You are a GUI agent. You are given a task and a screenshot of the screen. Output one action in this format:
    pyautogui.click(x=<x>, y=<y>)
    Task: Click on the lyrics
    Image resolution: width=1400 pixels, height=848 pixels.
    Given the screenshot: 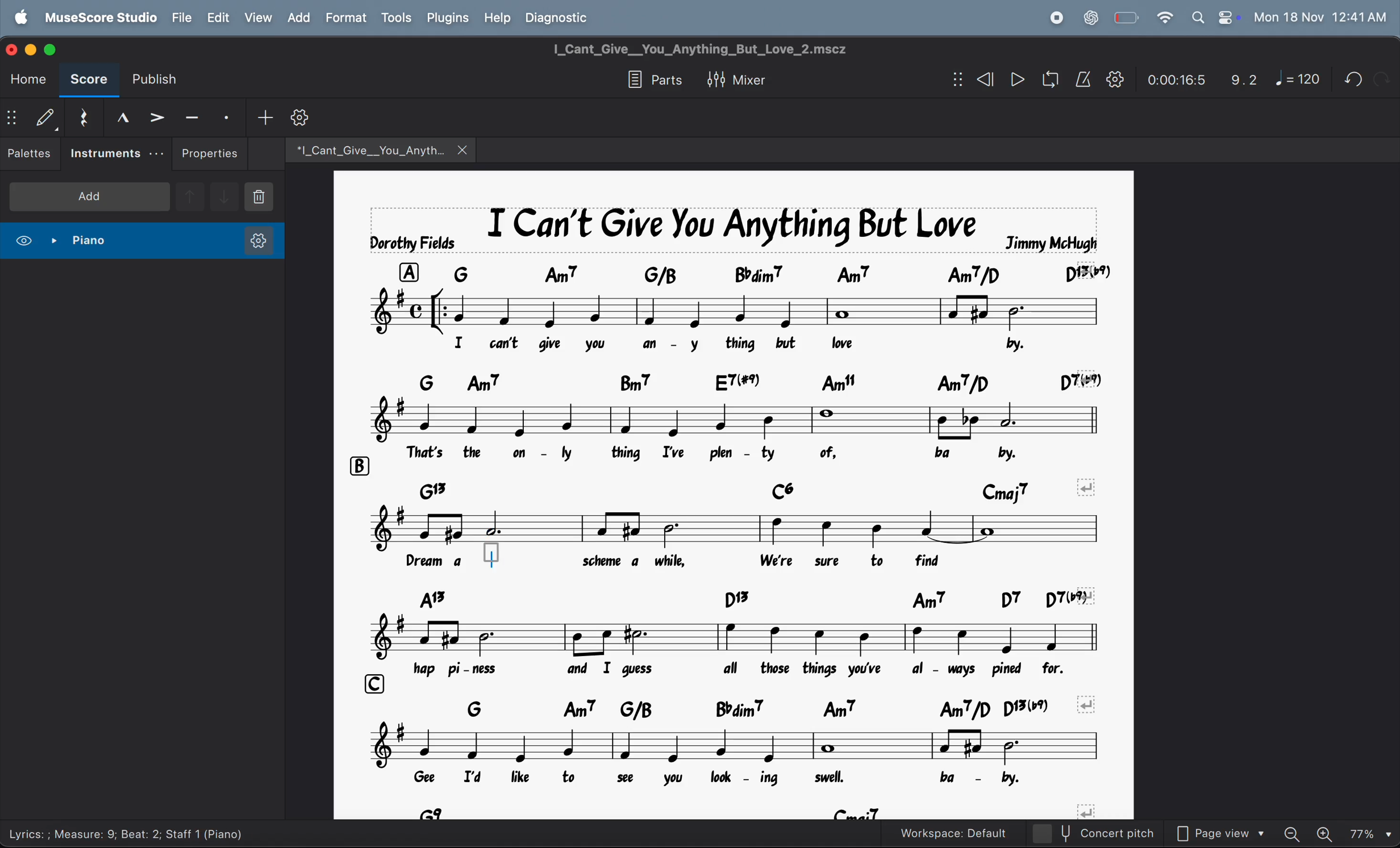 What is the action you would take?
    pyautogui.click(x=766, y=673)
    